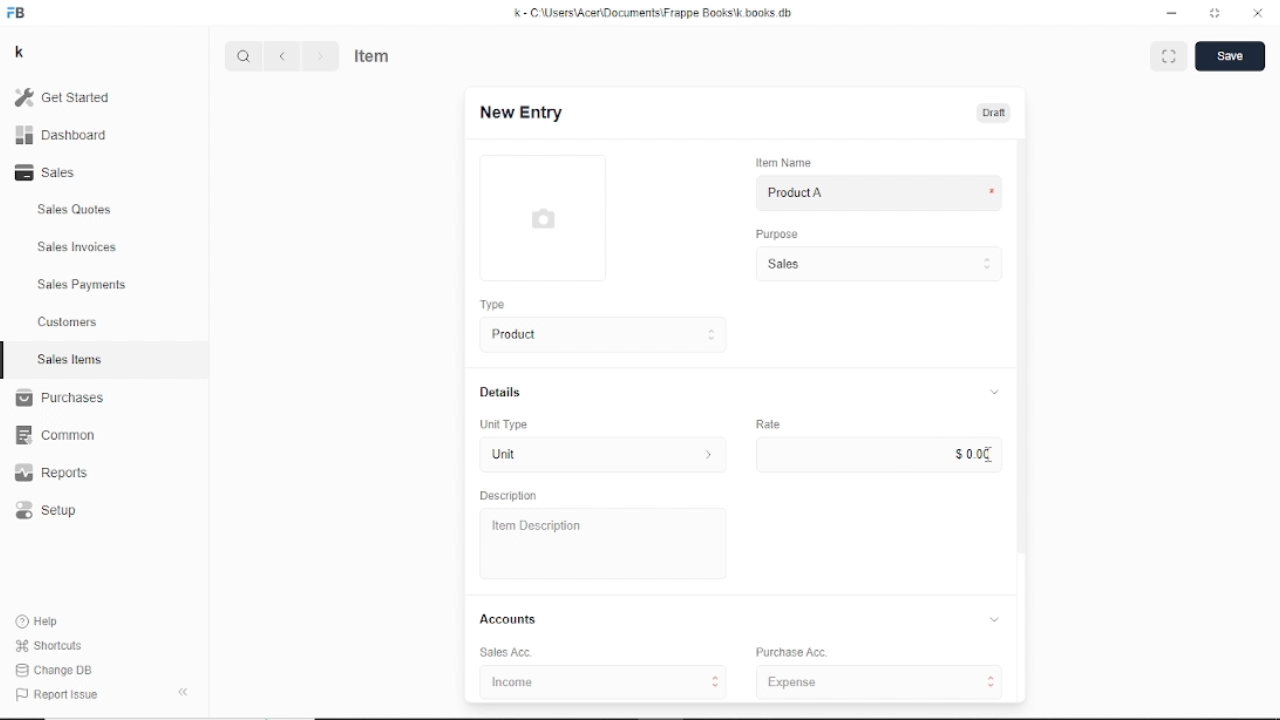 Image resolution: width=1280 pixels, height=720 pixels. I want to click on Sales Items, so click(70, 359).